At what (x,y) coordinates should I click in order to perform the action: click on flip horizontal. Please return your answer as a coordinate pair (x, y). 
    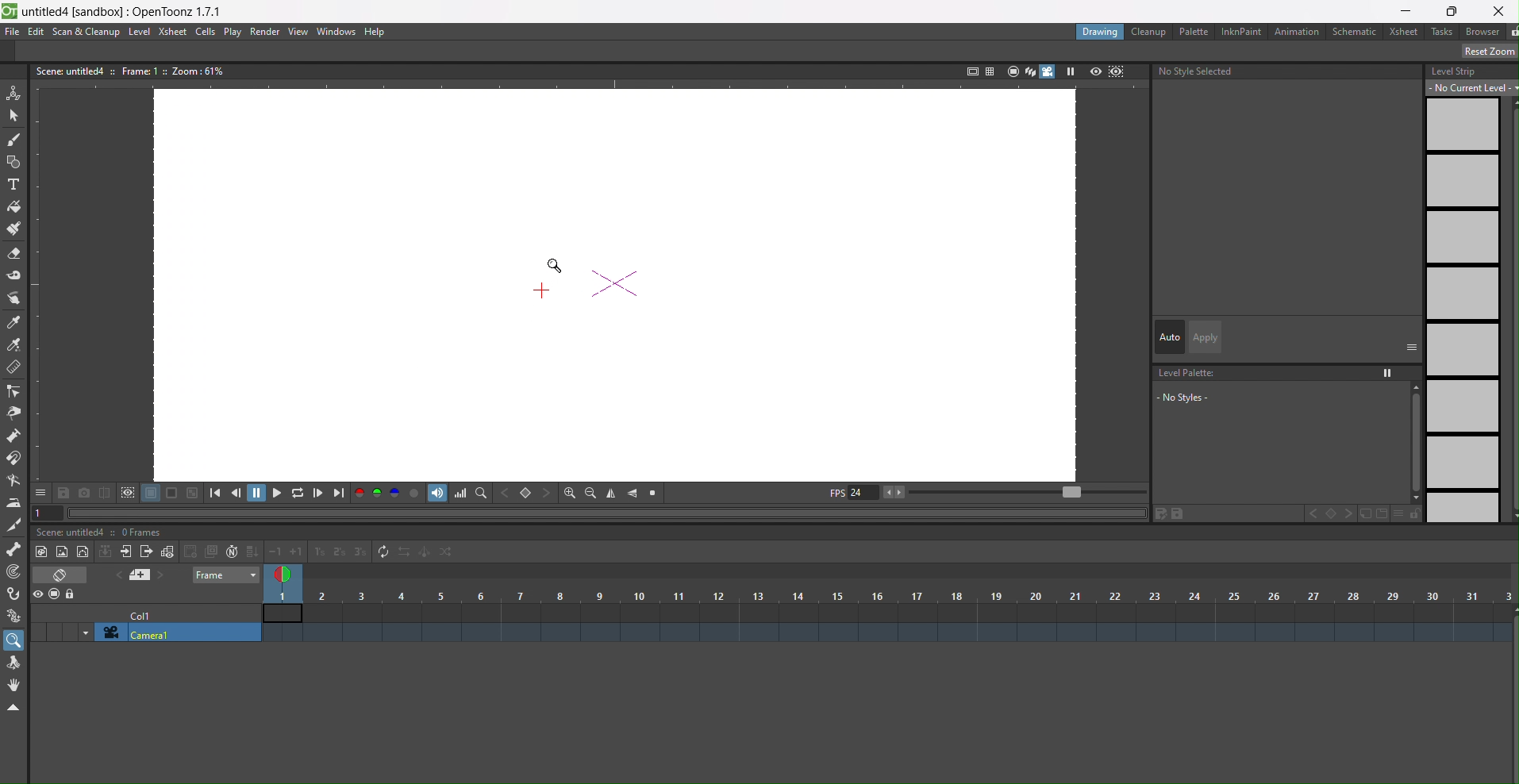
    Looking at the image, I should click on (633, 494).